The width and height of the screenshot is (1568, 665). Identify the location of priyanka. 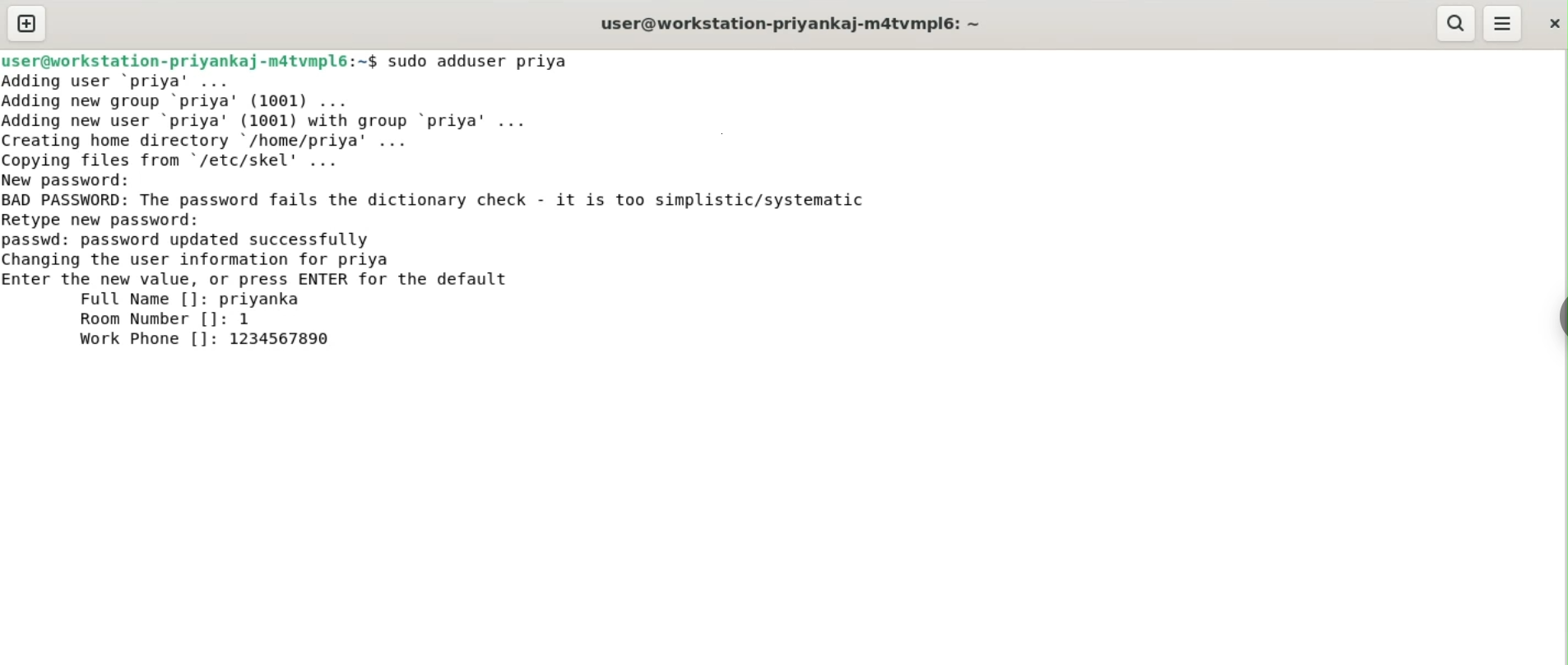
(264, 299).